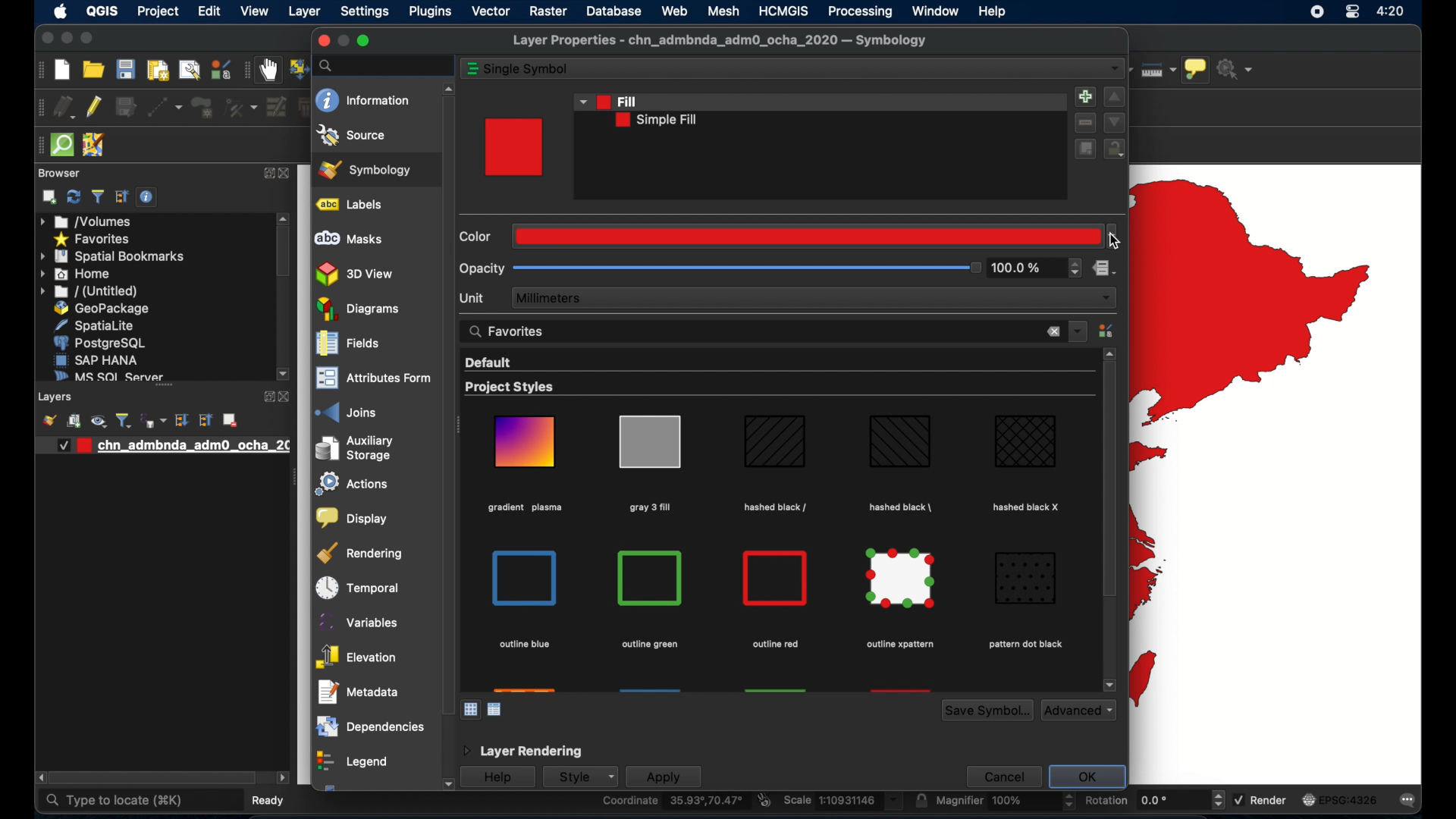 Image resolution: width=1456 pixels, height=819 pixels. Describe the element at coordinates (1196, 71) in the screenshot. I see `show map tips` at that location.